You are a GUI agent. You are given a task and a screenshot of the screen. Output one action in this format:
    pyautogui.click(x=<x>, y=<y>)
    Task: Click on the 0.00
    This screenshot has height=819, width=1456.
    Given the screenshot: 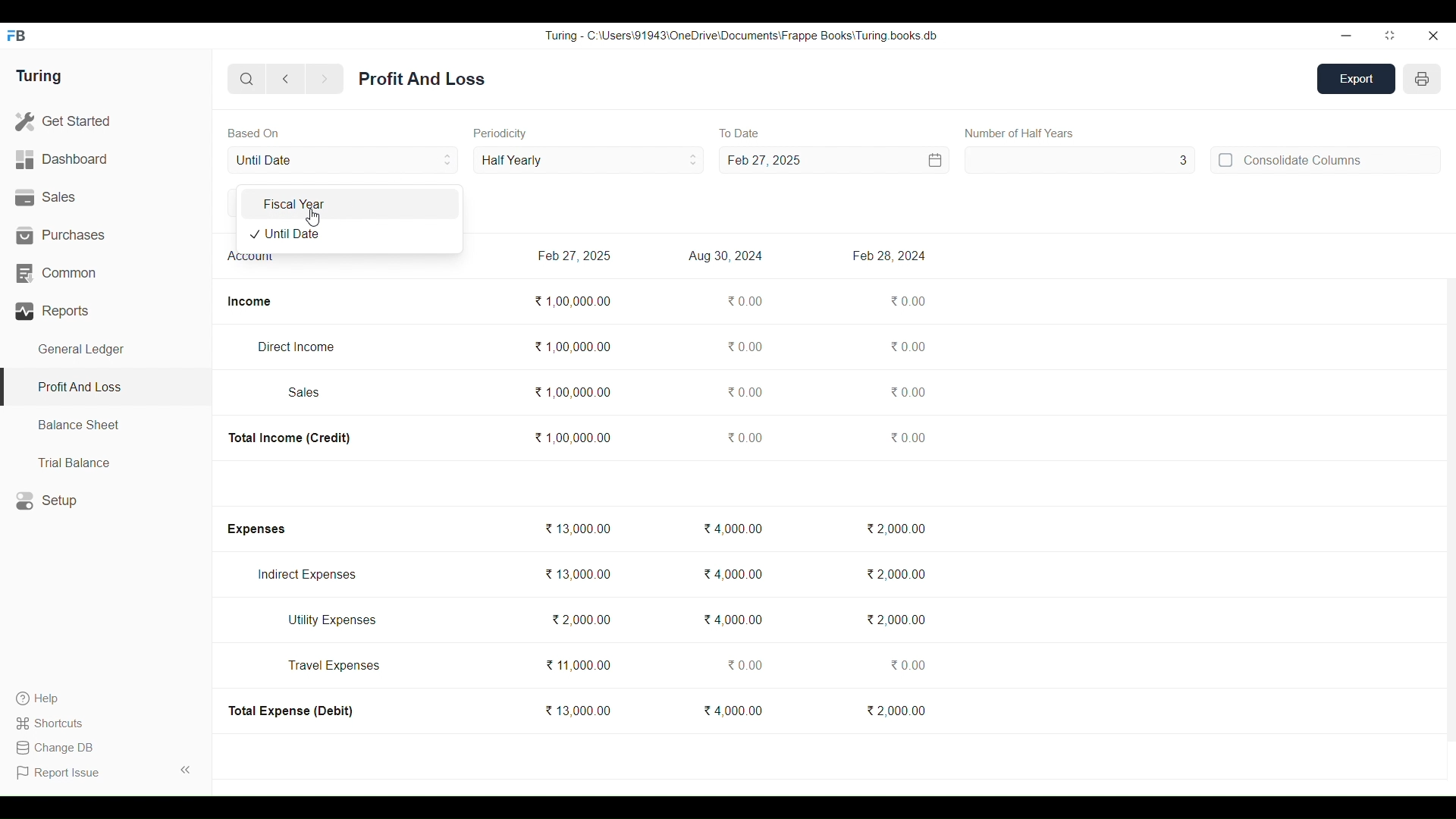 What is the action you would take?
    pyautogui.click(x=745, y=437)
    